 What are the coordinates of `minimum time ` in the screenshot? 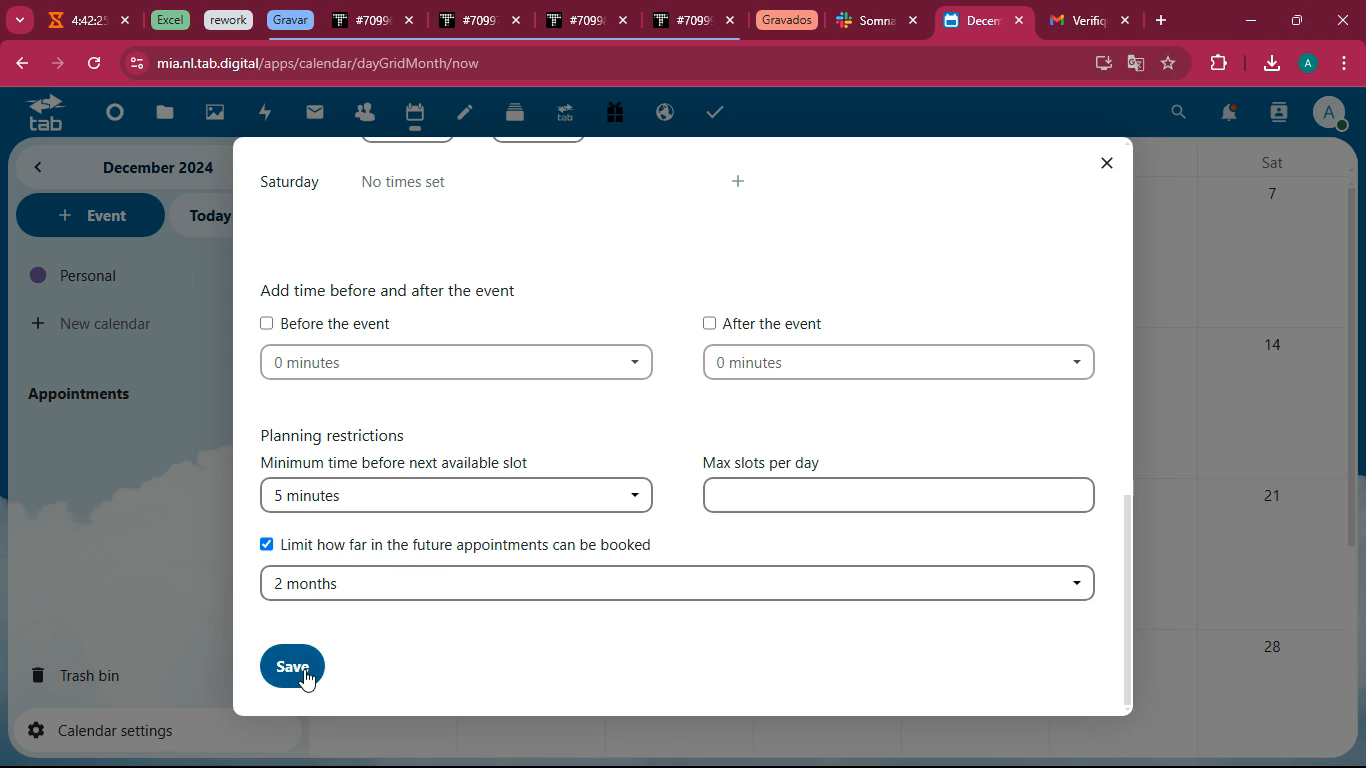 It's located at (406, 464).